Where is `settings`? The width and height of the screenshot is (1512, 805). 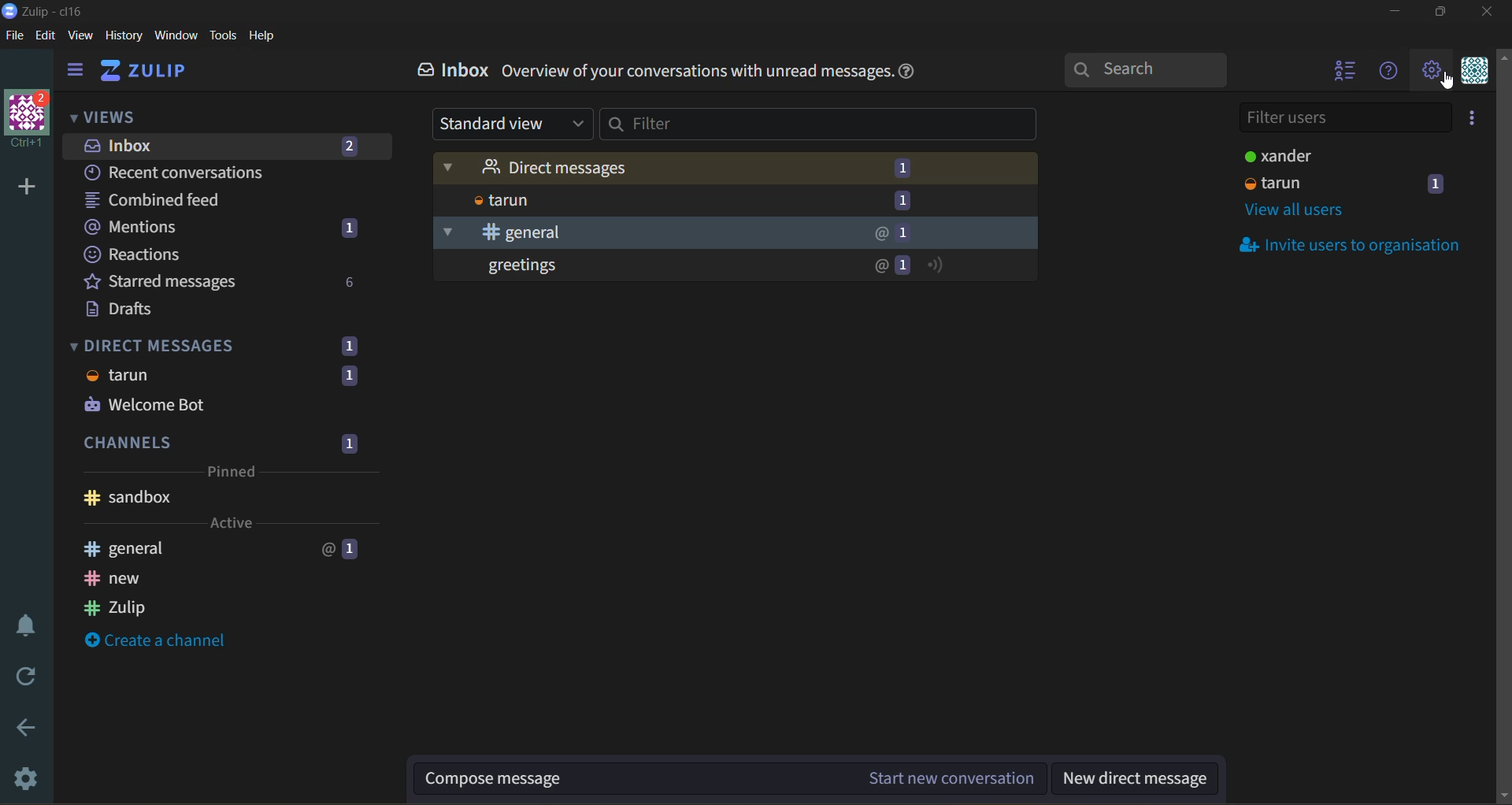 settings is located at coordinates (23, 782).